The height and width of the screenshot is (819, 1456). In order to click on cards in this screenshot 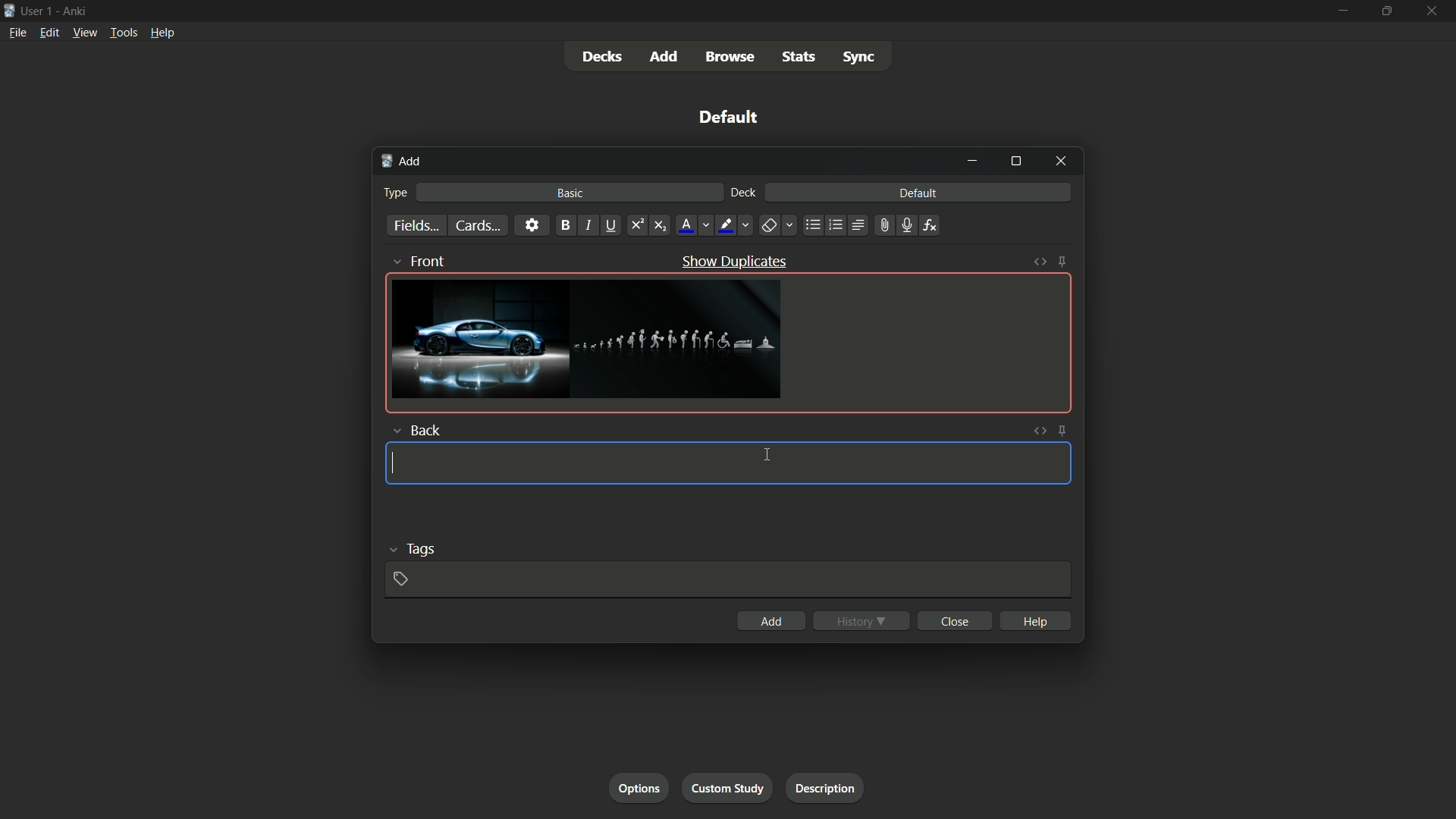, I will do `click(477, 225)`.